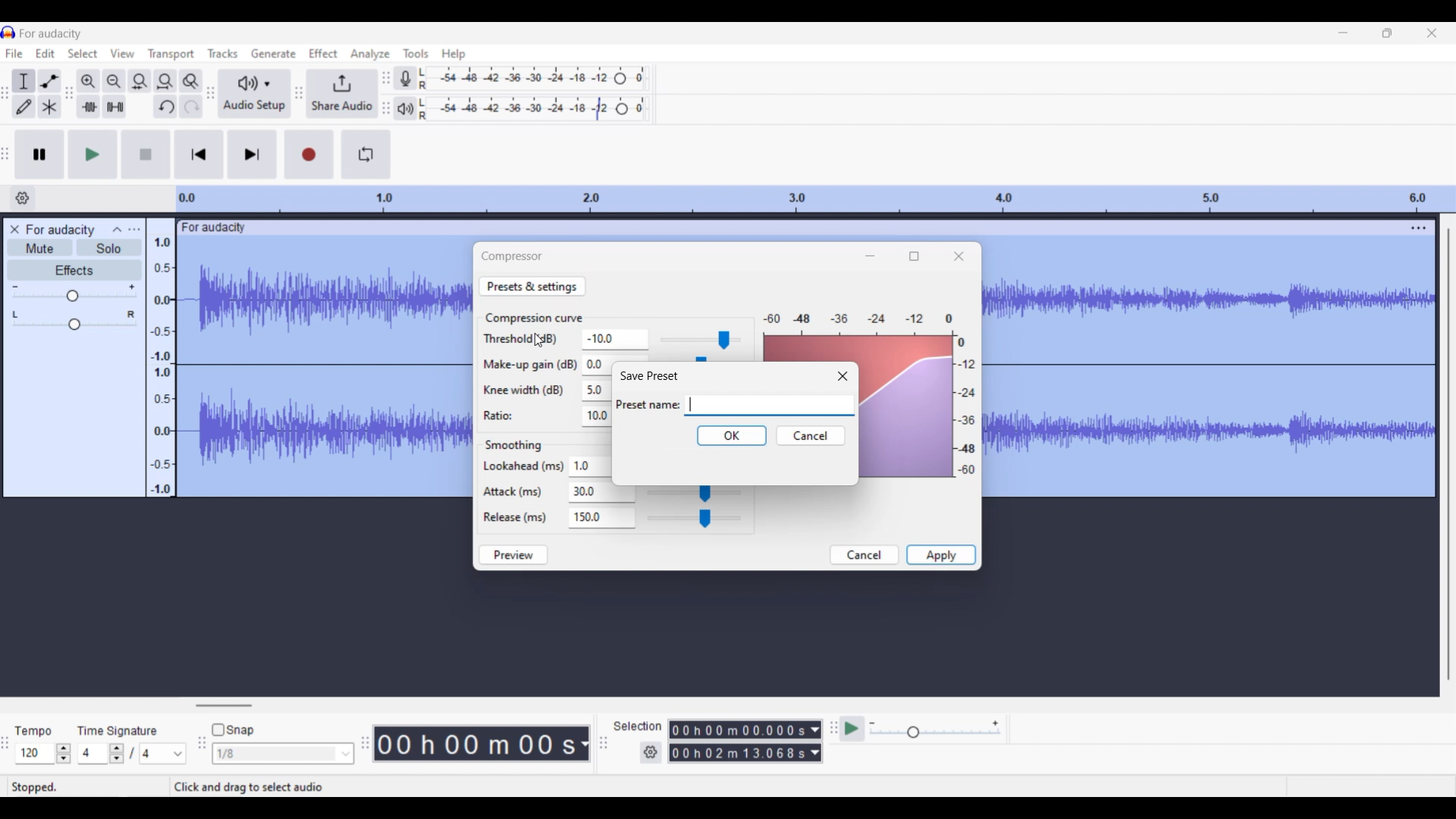  What do you see at coordinates (323, 53) in the screenshot?
I see `Effect` at bounding box center [323, 53].